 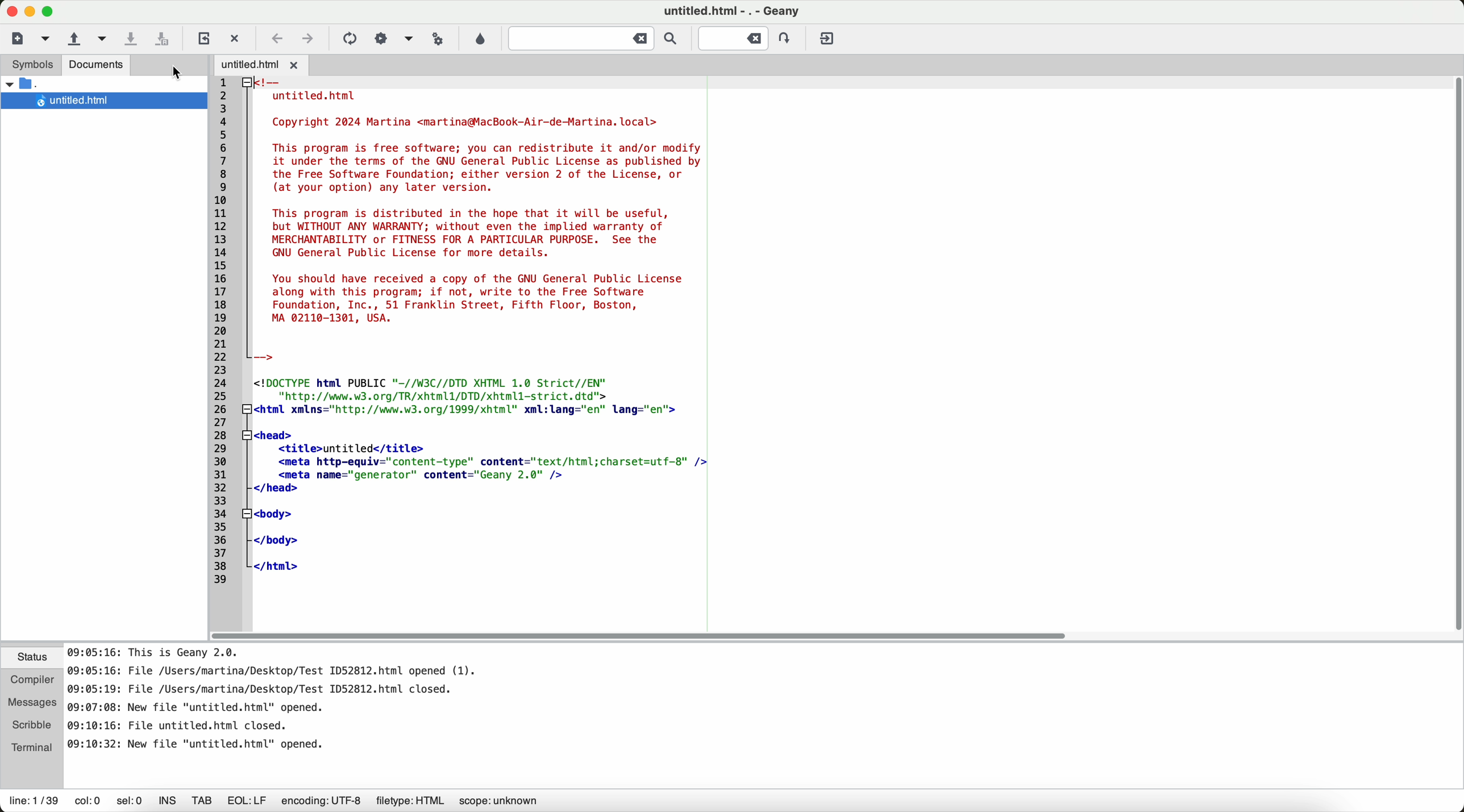 I want to click on status, so click(x=30, y=658).